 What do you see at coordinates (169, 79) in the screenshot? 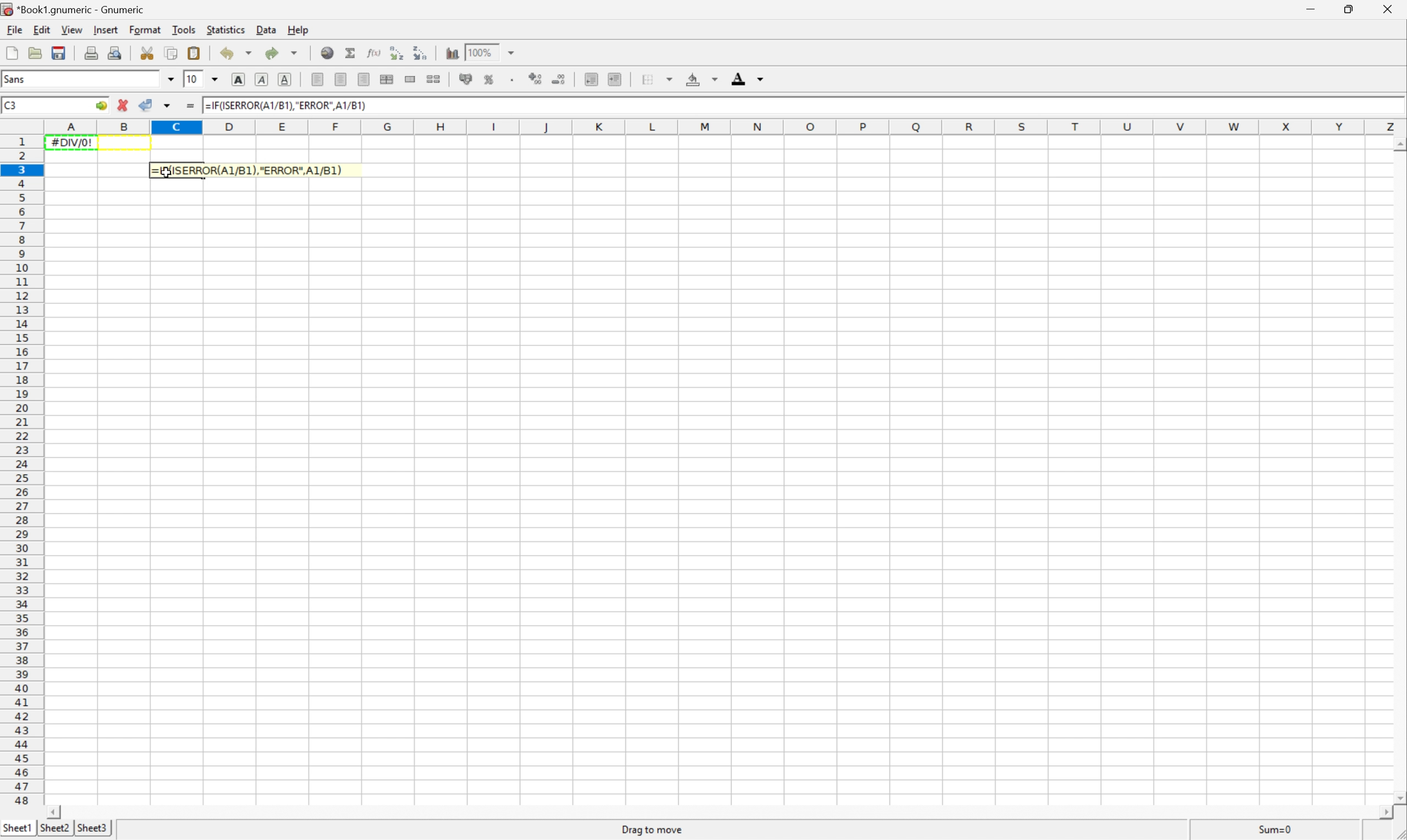
I see `Drop down` at bounding box center [169, 79].